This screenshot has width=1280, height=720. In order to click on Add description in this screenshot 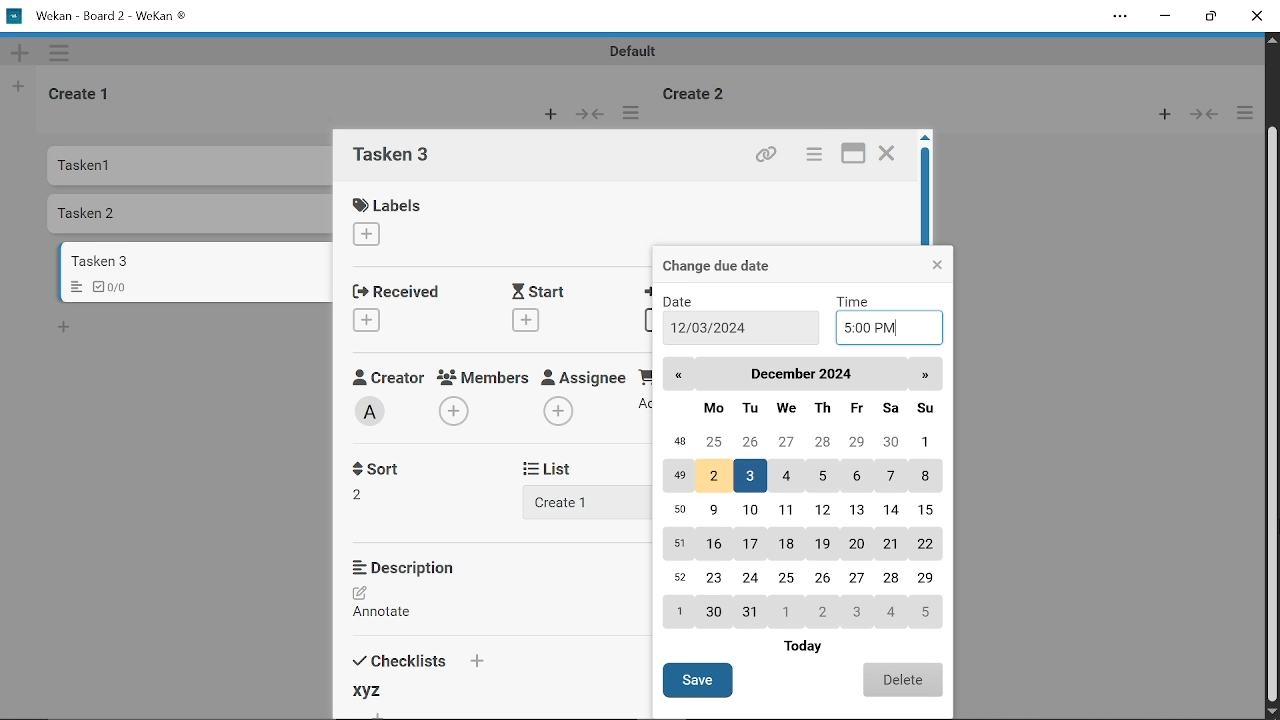, I will do `click(392, 605)`.